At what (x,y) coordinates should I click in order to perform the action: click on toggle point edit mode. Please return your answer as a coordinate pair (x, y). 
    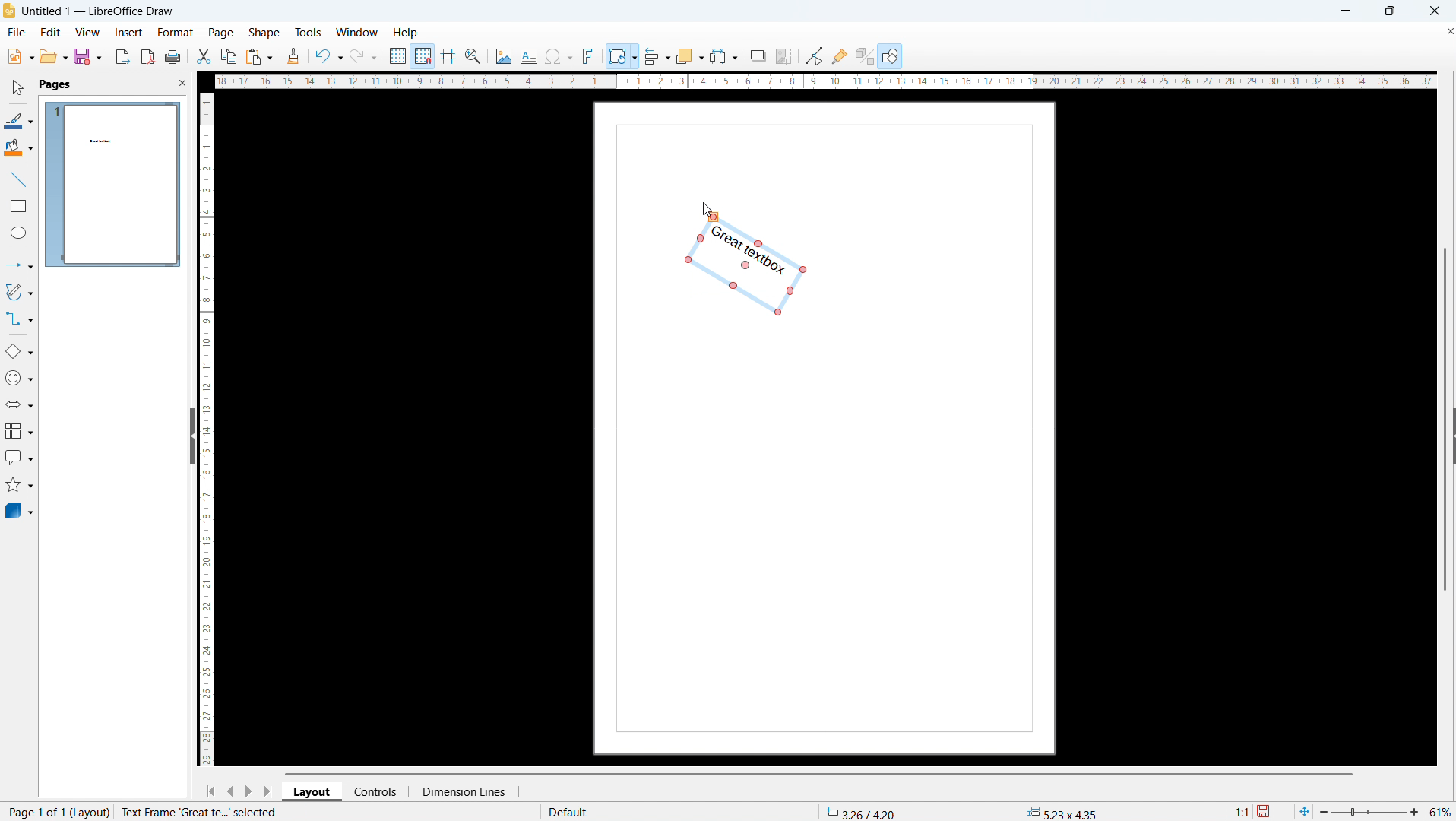
    Looking at the image, I should click on (815, 55).